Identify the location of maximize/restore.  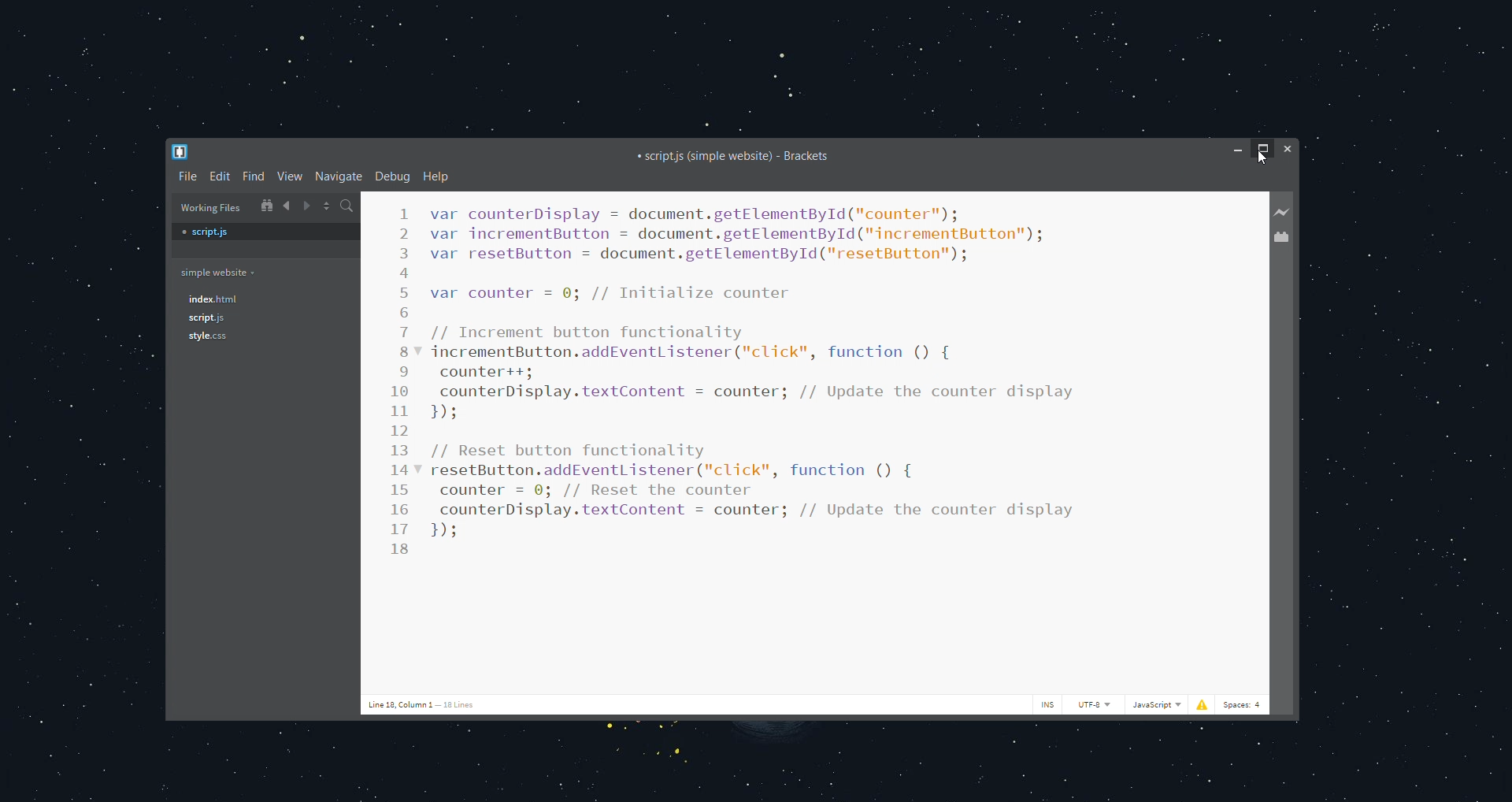
(1263, 150).